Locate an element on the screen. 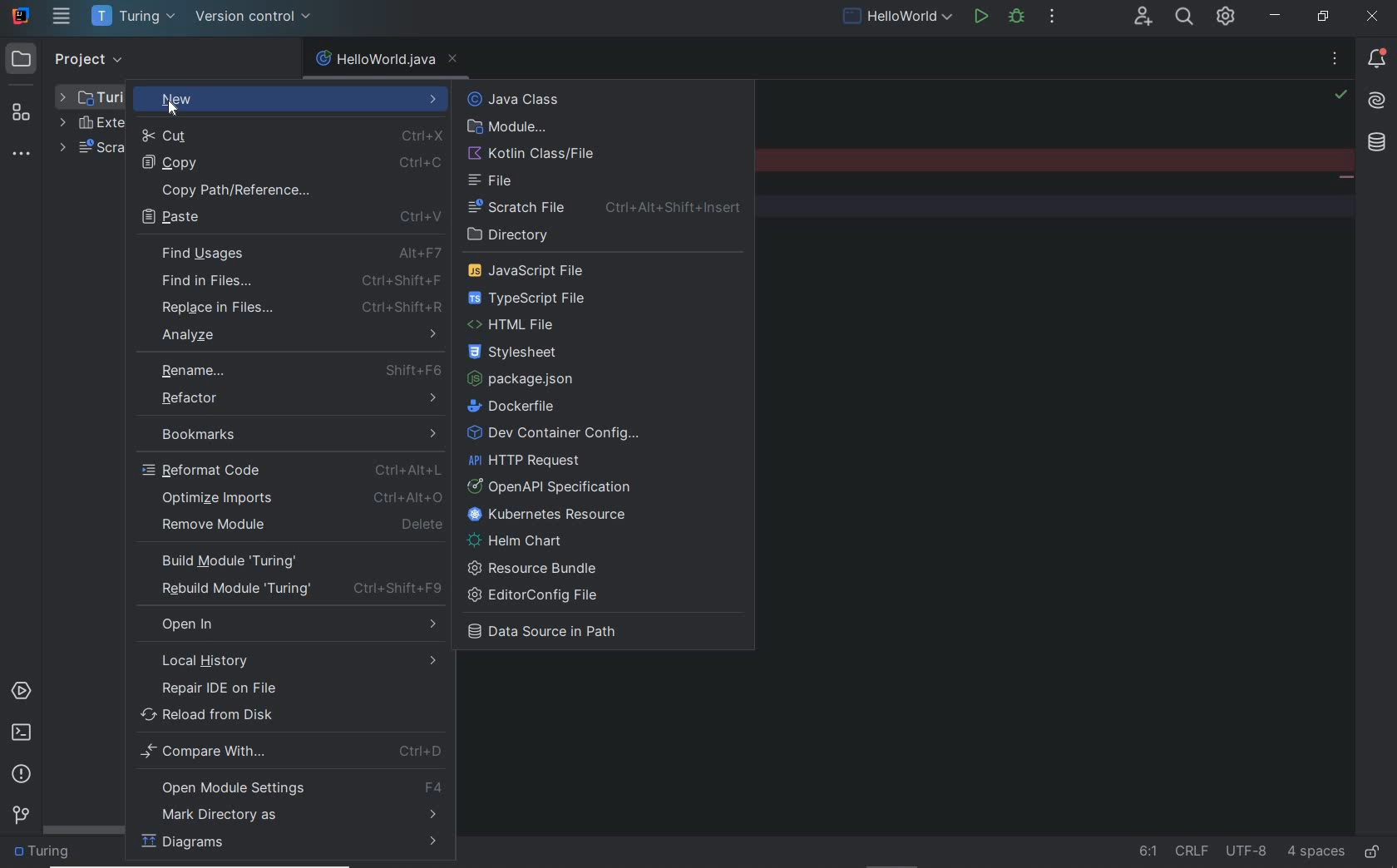  dockerfile is located at coordinates (518, 406).